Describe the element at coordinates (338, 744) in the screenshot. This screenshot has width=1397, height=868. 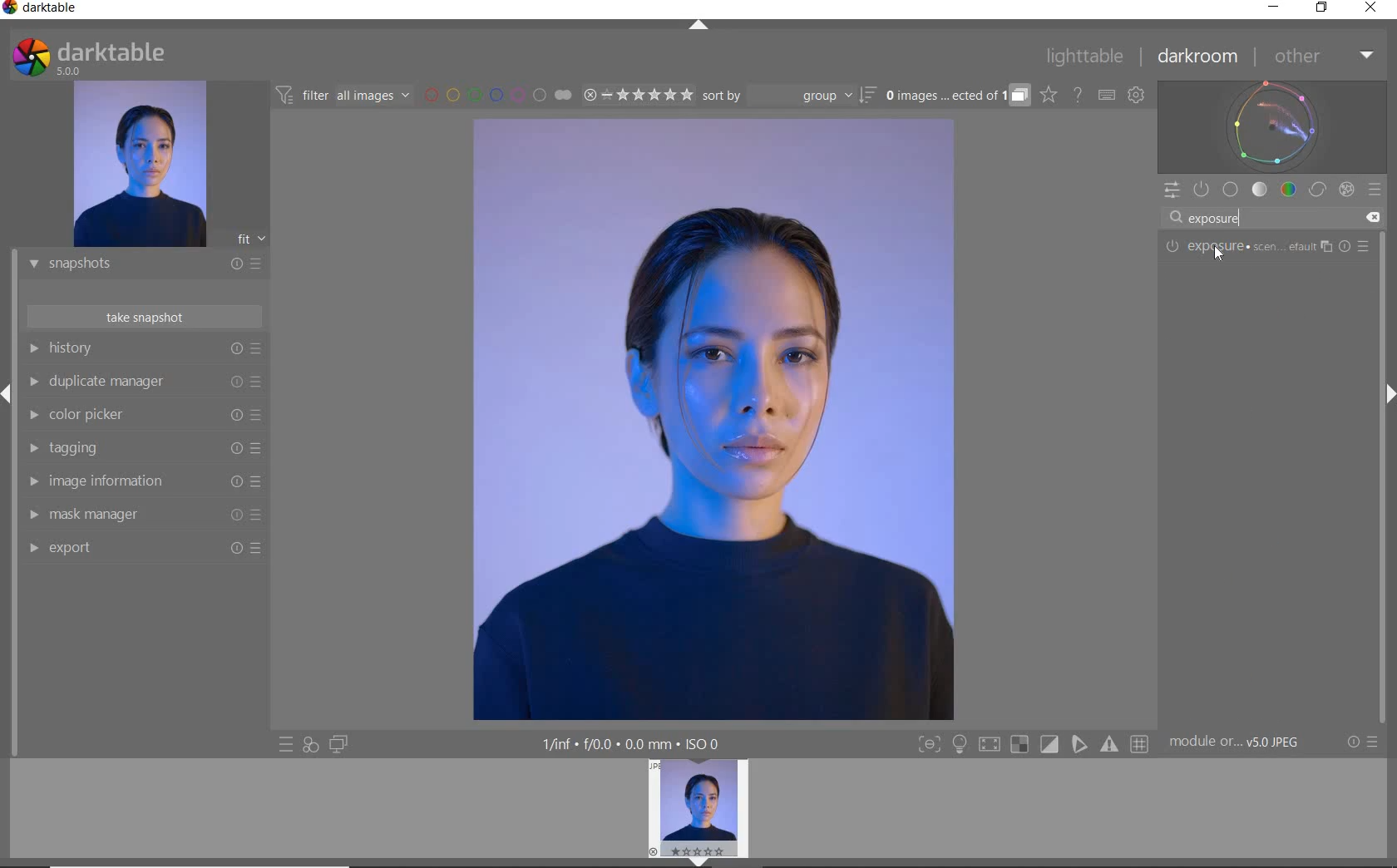
I see `DISPLAY A SECOND DARKROOM IMAGE WINDOW` at that location.